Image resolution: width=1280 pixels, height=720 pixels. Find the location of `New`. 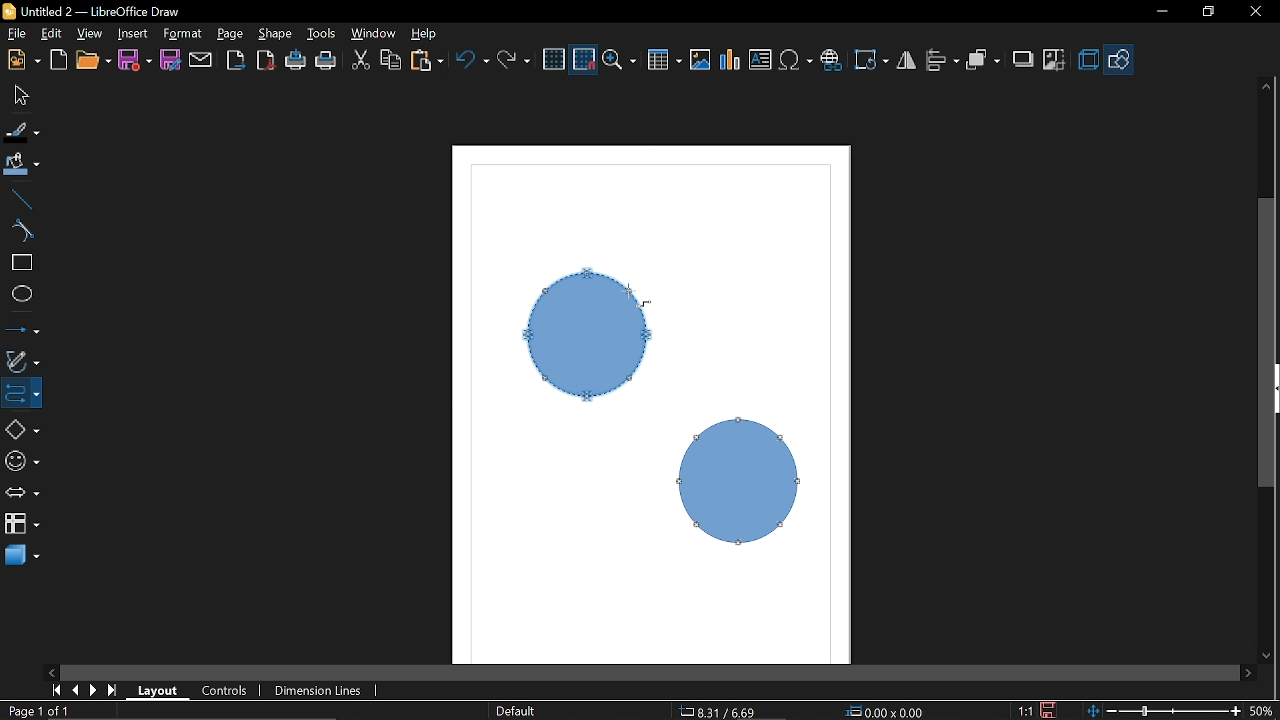

New is located at coordinates (22, 61).